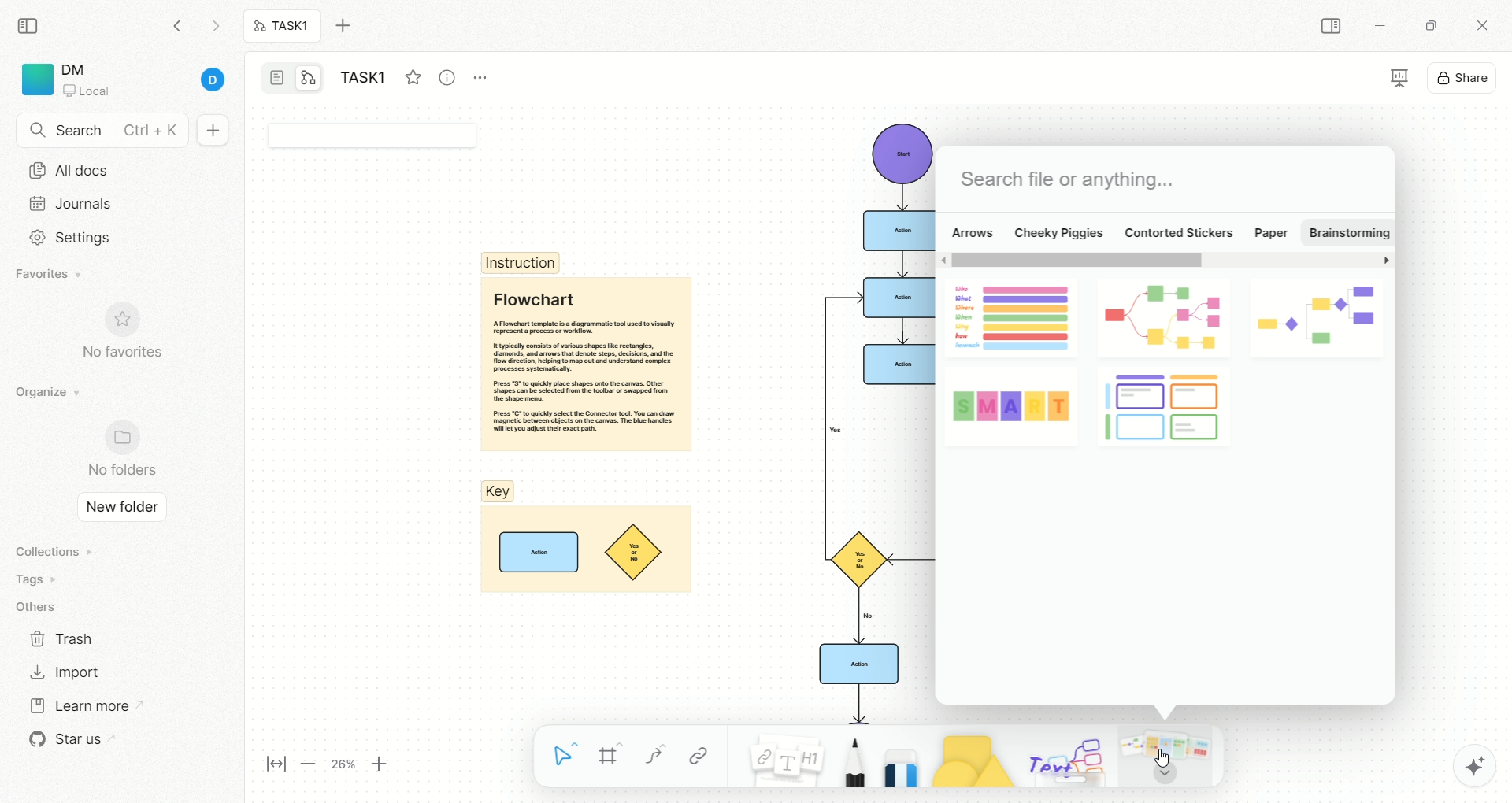 The width and height of the screenshot is (1512, 803). Describe the element at coordinates (63, 672) in the screenshot. I see `import` at that location.